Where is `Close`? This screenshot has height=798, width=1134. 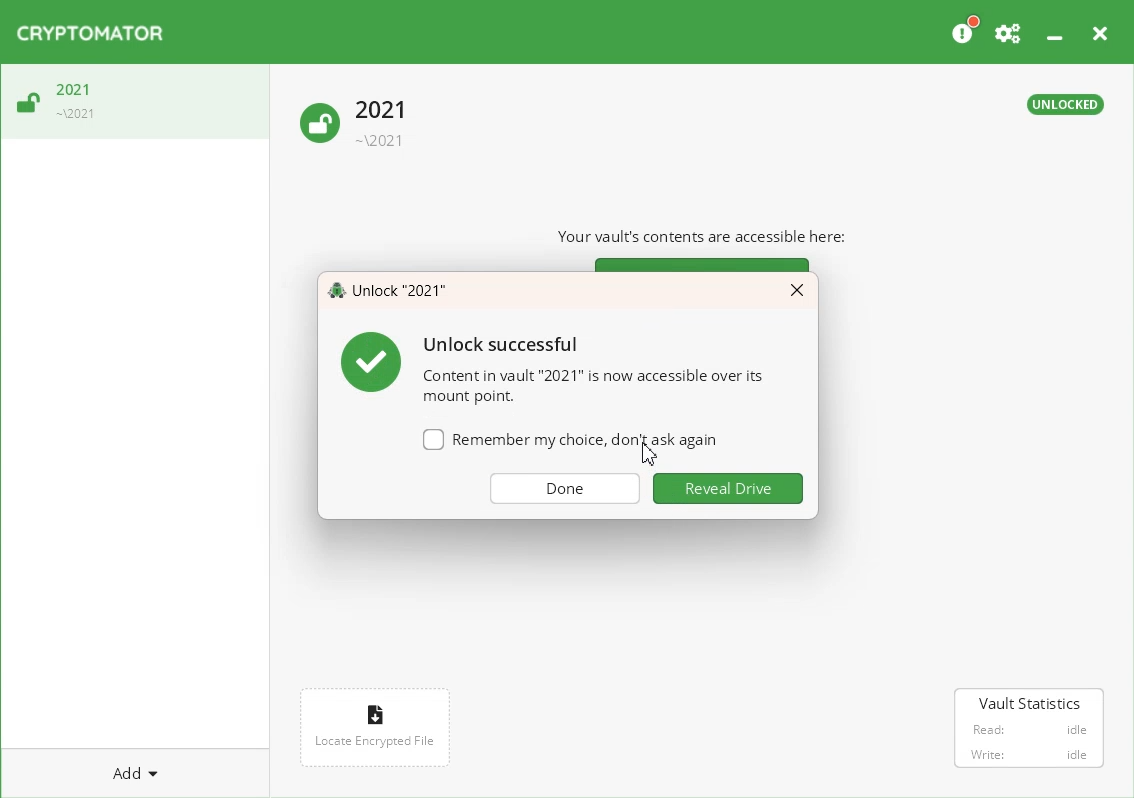 Close is located at coordinates (797, 289).